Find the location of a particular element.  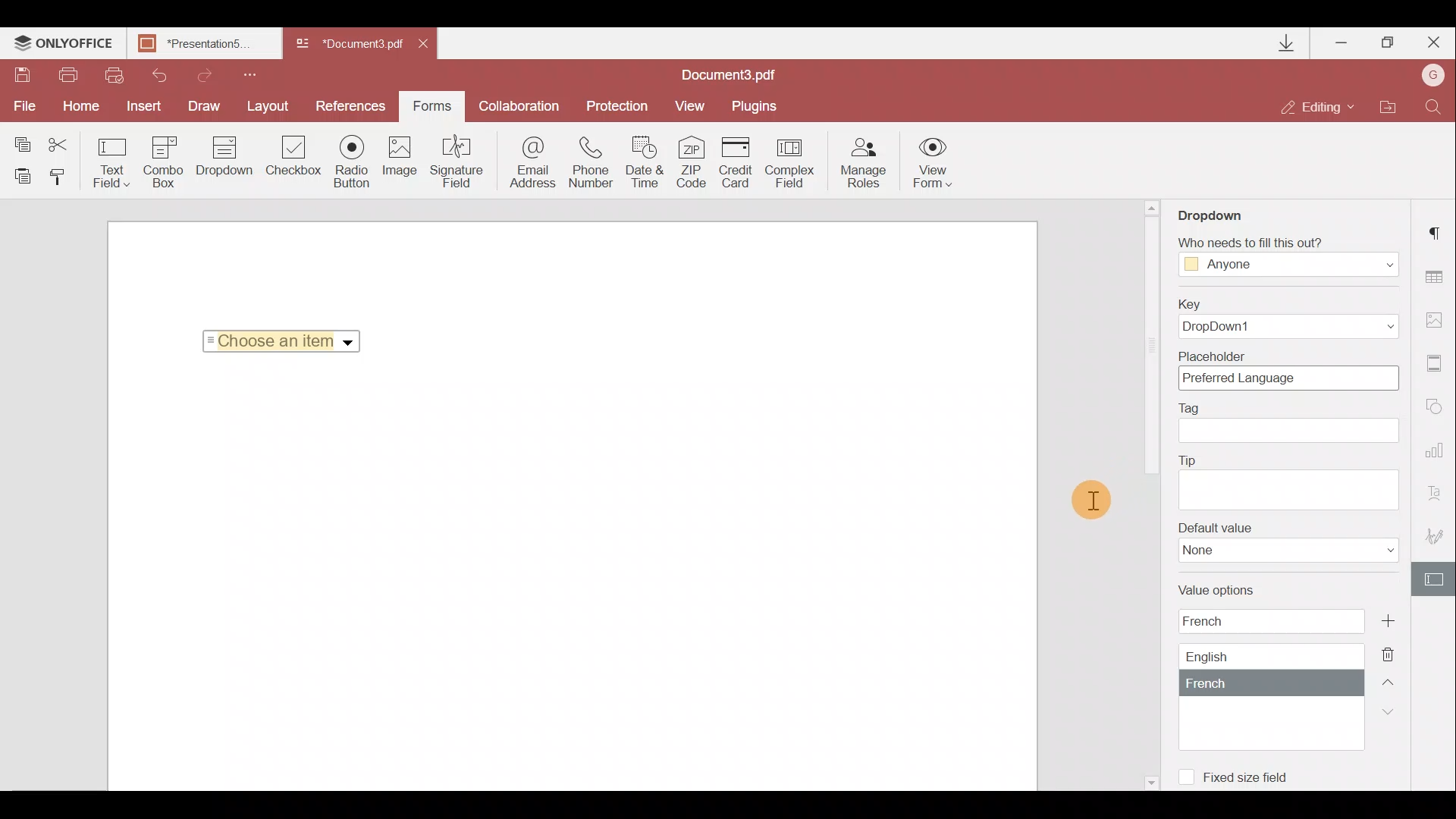

Close is located at coordinates (428, 41).